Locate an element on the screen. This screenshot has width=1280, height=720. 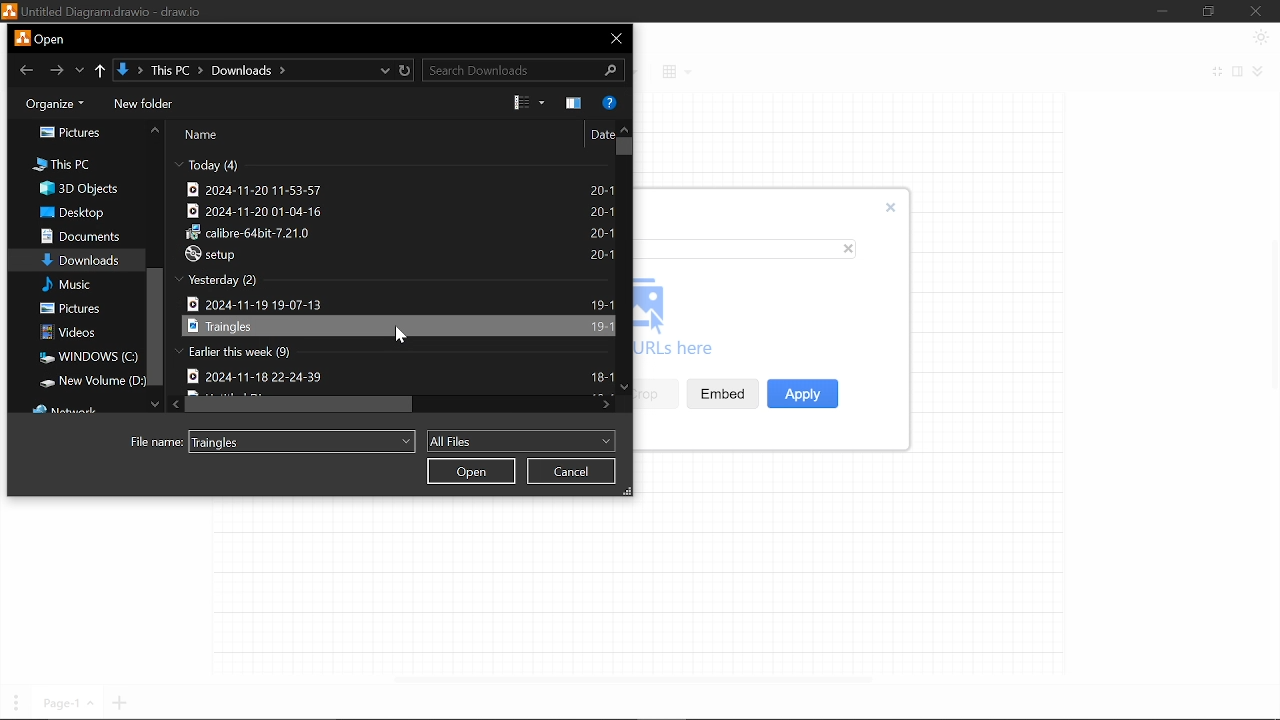
3d objects is located at coordinates (71, 187).